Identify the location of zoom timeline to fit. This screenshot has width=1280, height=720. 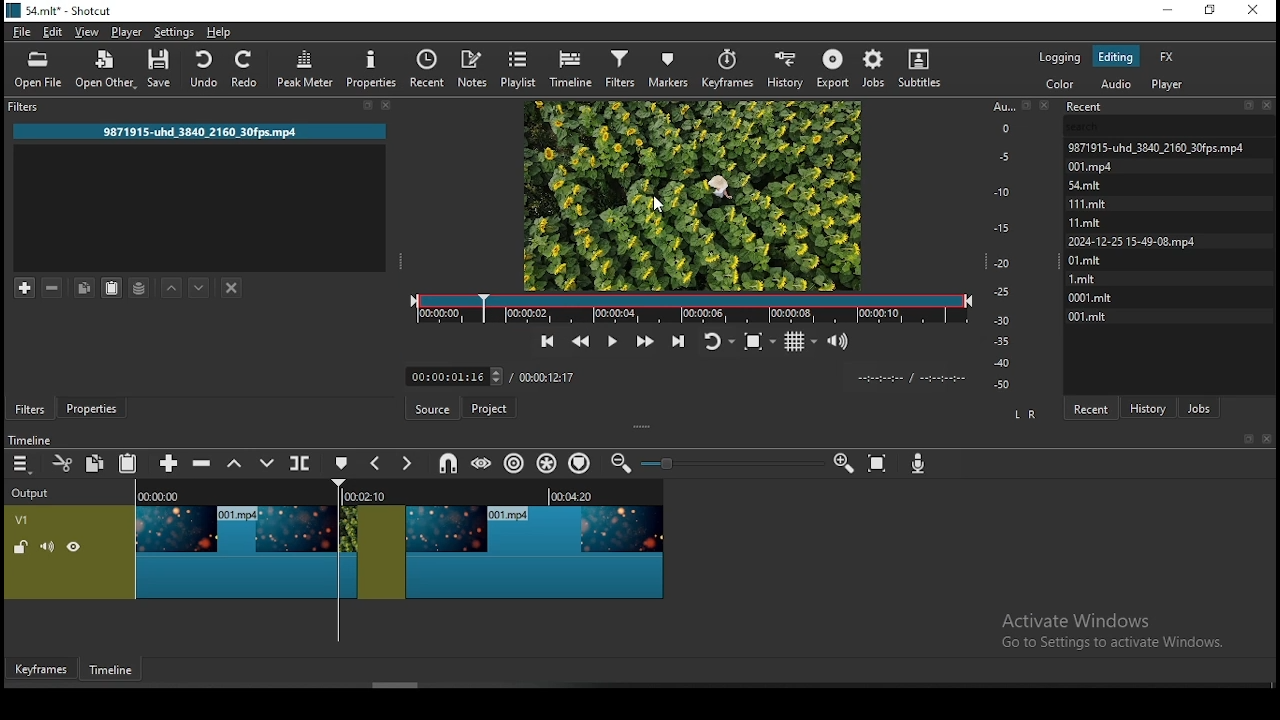
(880, 465).